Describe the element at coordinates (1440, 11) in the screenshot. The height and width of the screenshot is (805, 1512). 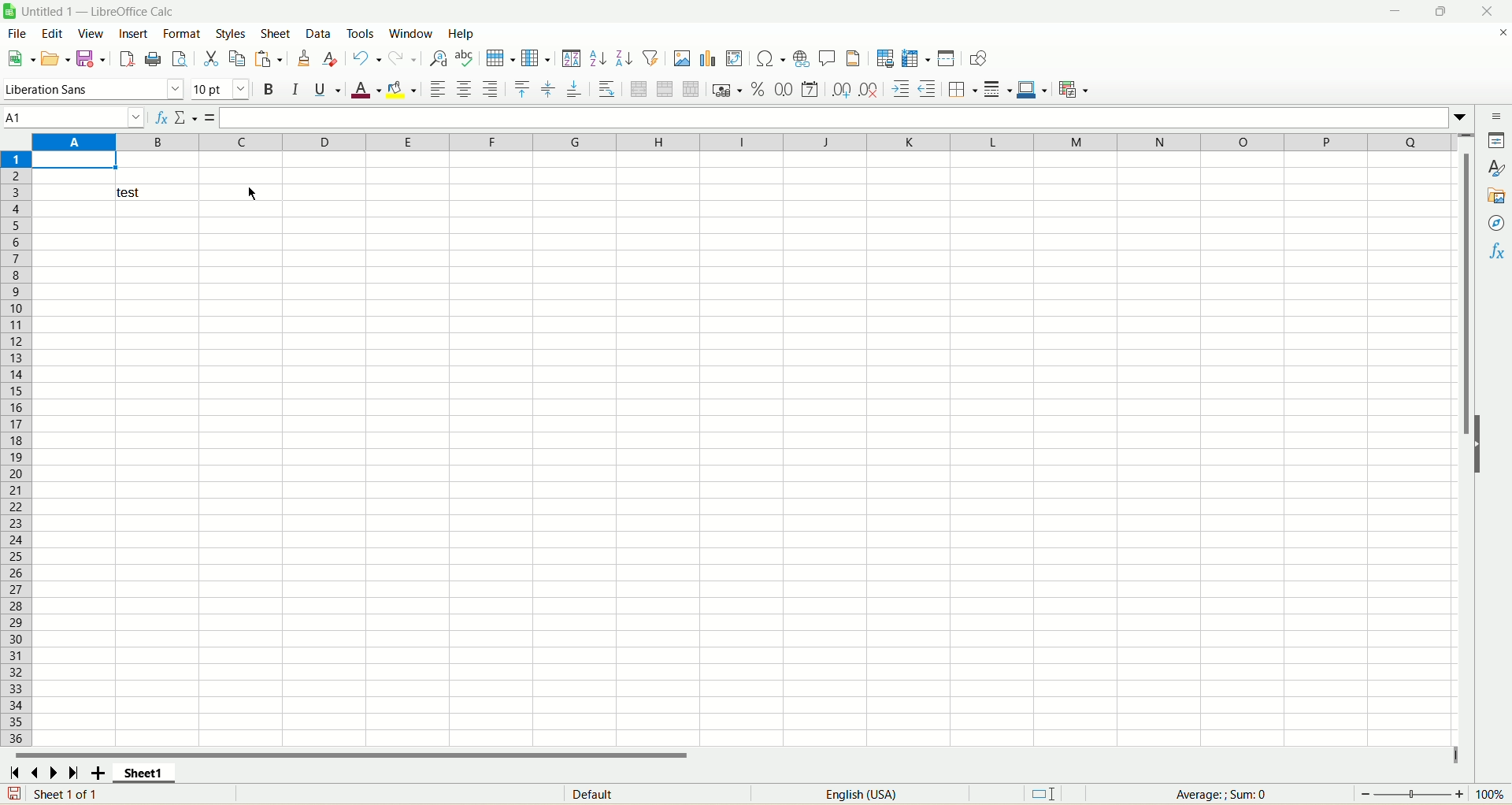
I see `maximize` at that location.